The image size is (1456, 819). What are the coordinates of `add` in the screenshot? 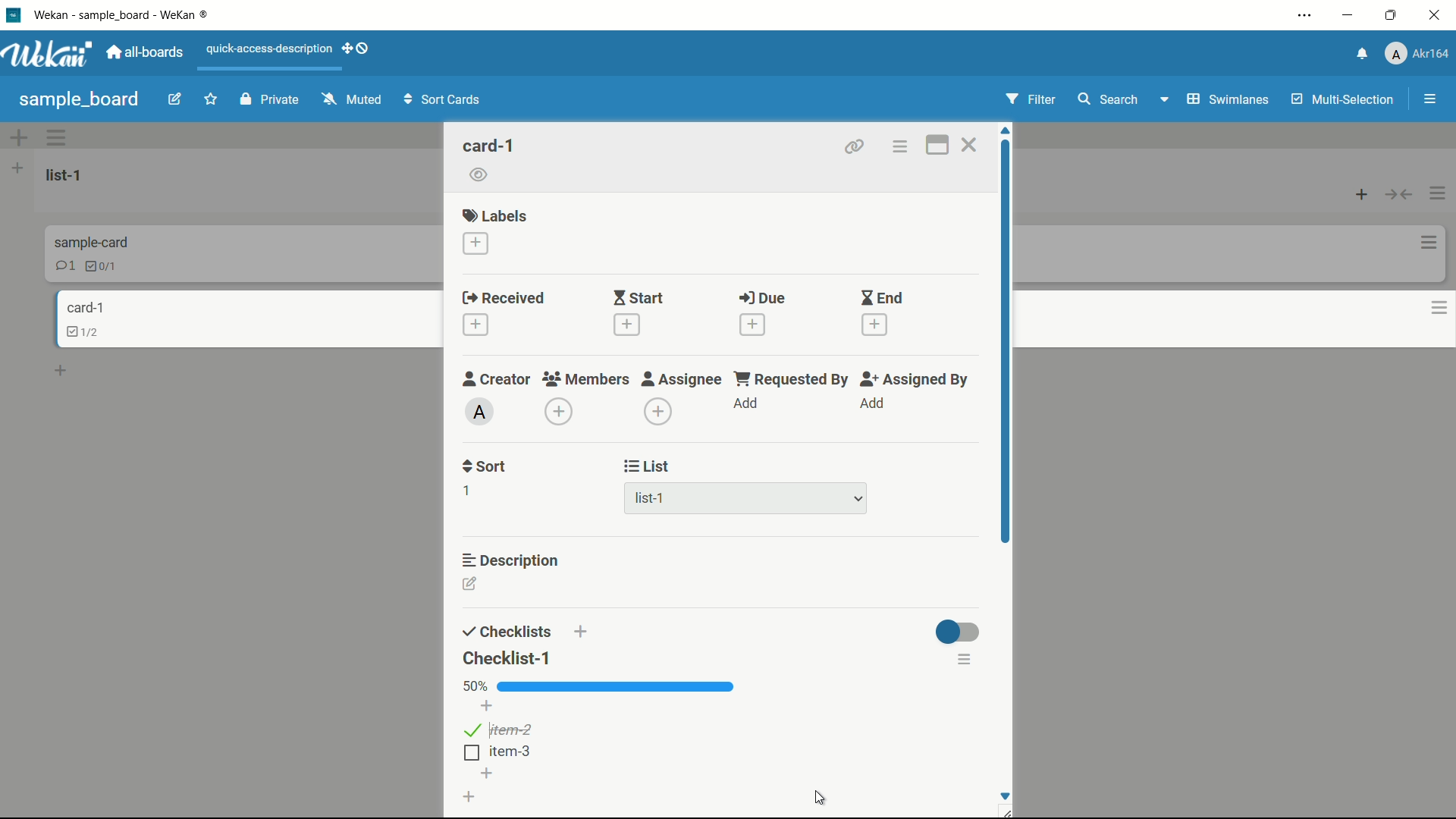 It's located at (745, 404).